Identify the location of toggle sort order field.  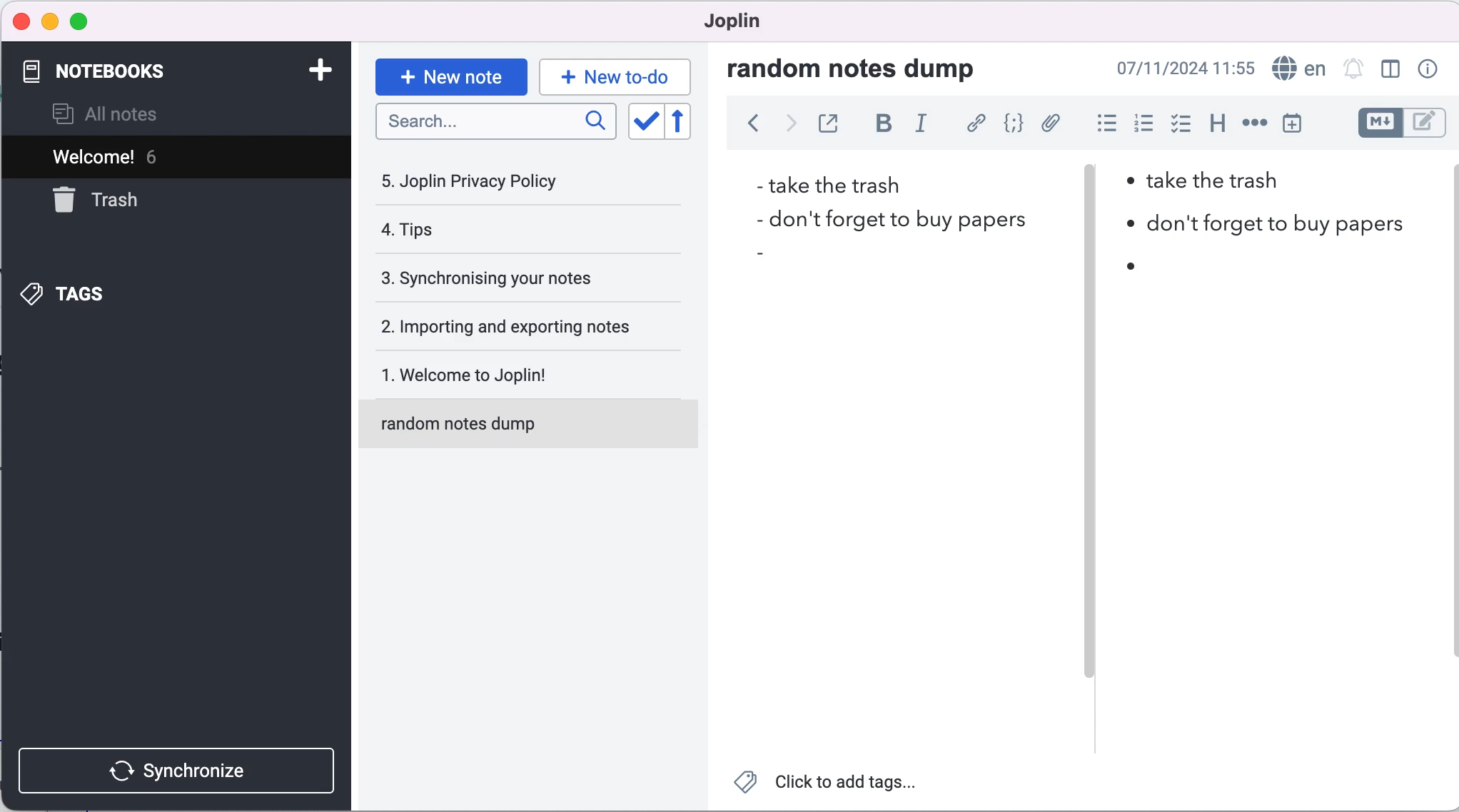
(644, 121).